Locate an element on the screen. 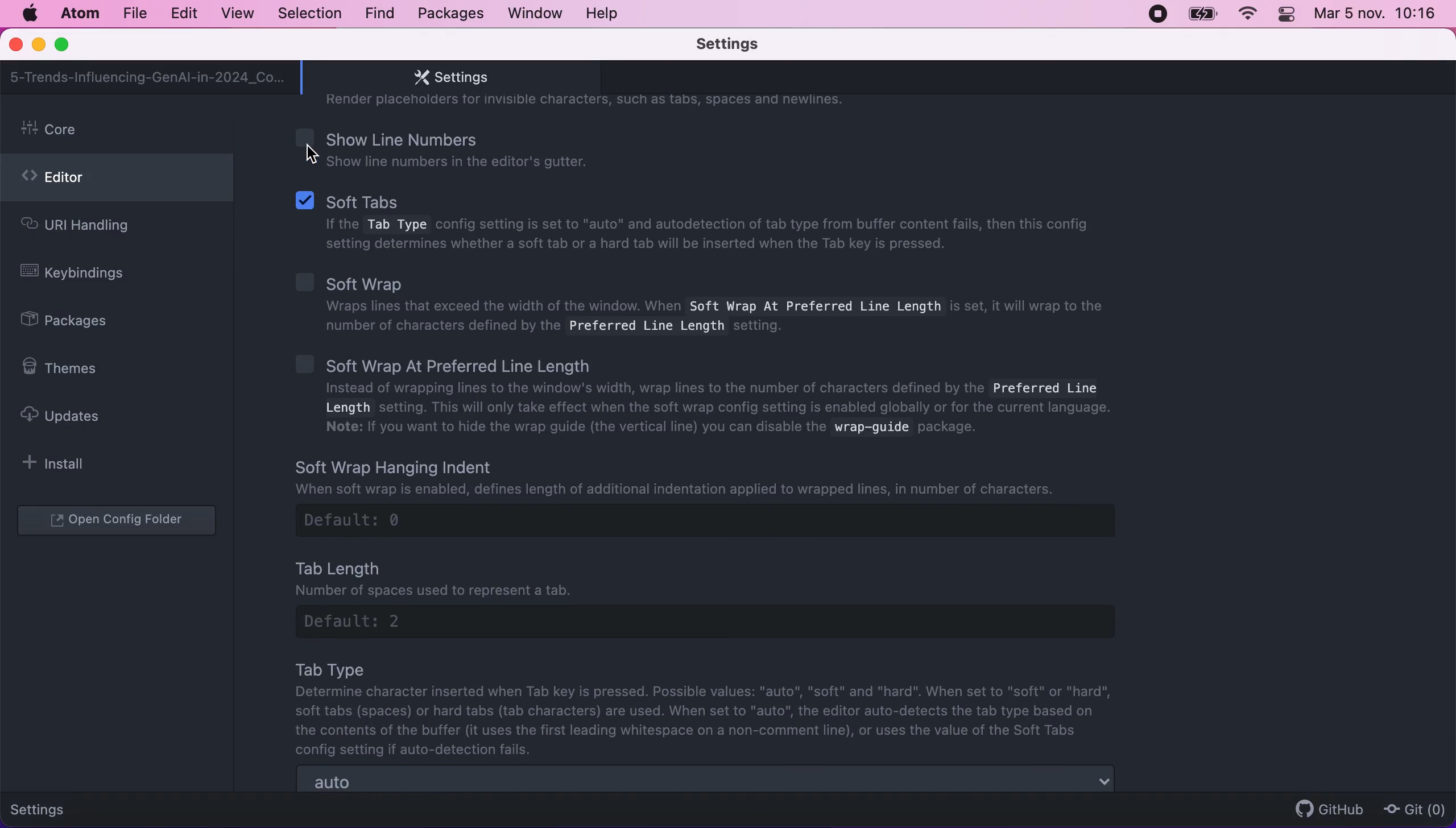  github is located at coordinates (1324, 809).